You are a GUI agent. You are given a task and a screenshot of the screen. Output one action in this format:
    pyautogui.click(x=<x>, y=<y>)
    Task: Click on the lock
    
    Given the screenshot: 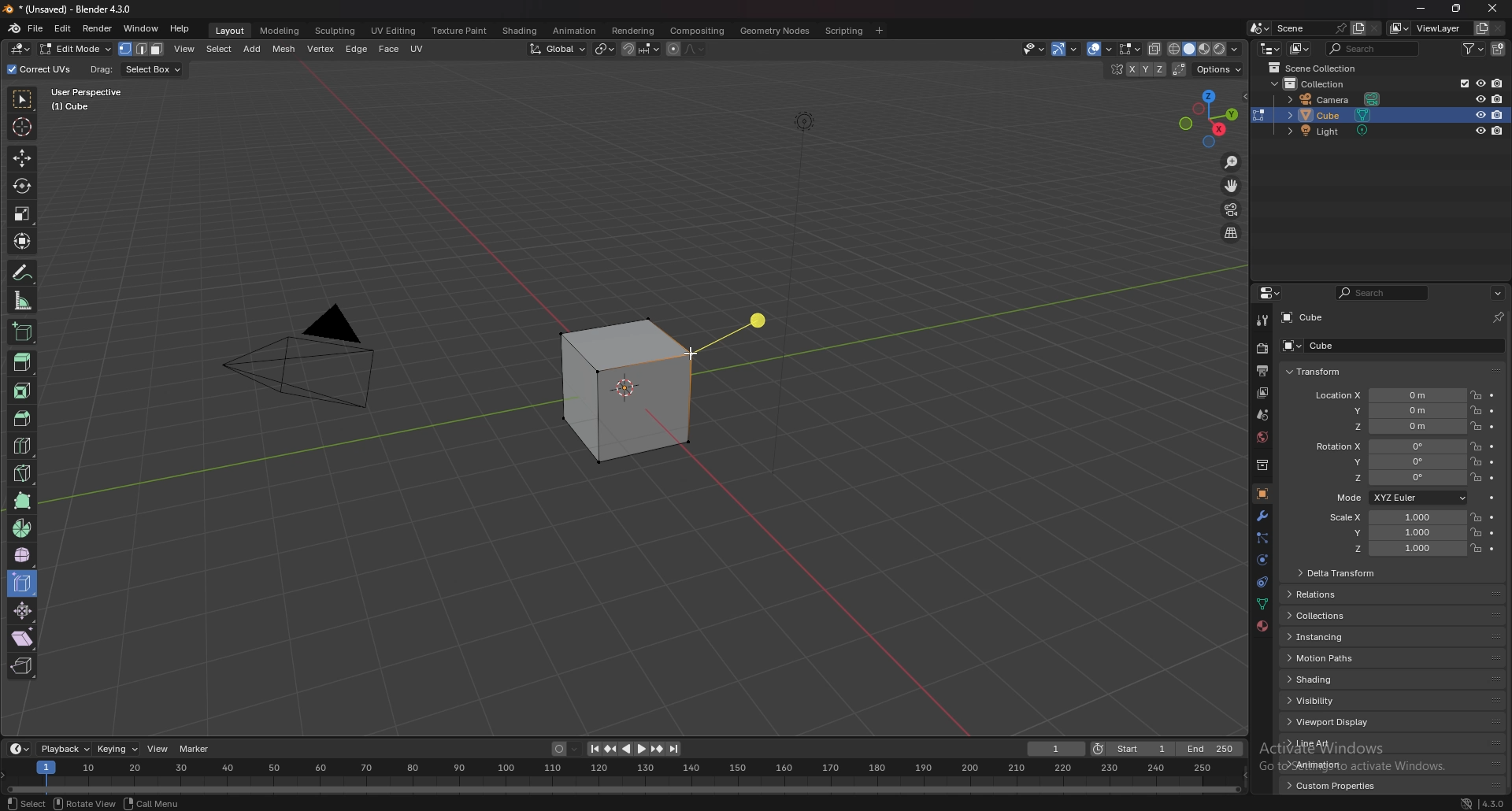 What is the action you would take?
    pyautogui.click(x=1475, y=426)
    